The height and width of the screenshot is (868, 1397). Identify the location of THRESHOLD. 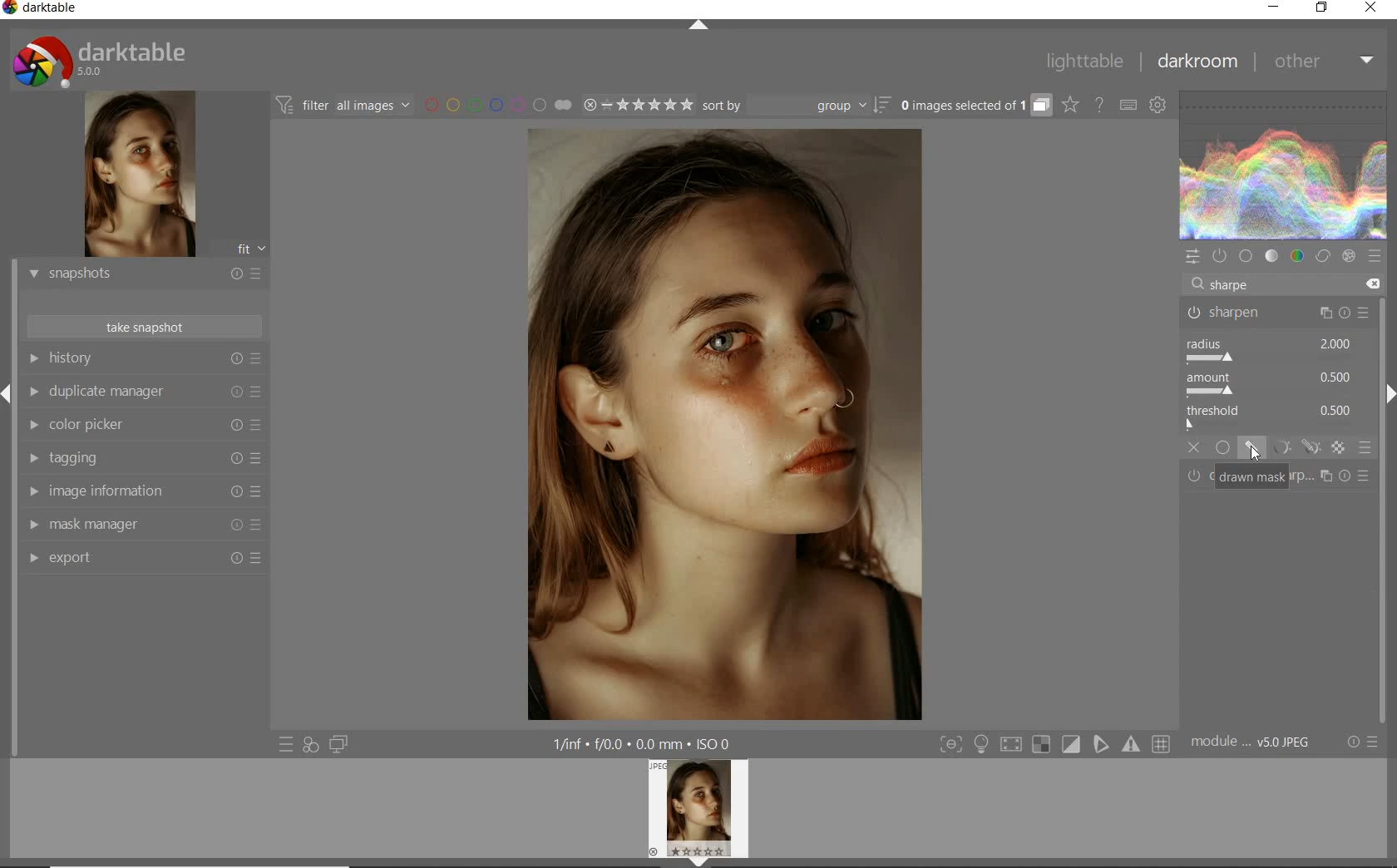
(1271, 417).